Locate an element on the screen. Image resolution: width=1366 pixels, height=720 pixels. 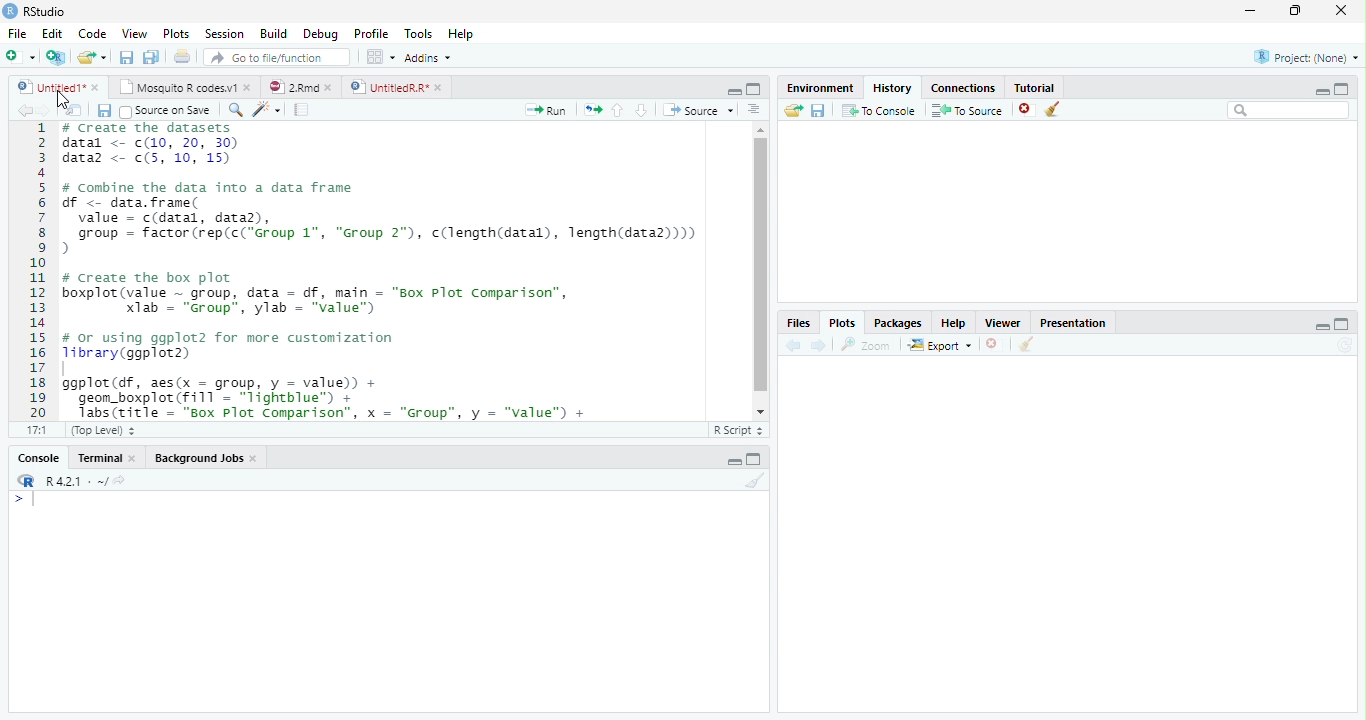
Open recent files is located at coordinates (103, 57).